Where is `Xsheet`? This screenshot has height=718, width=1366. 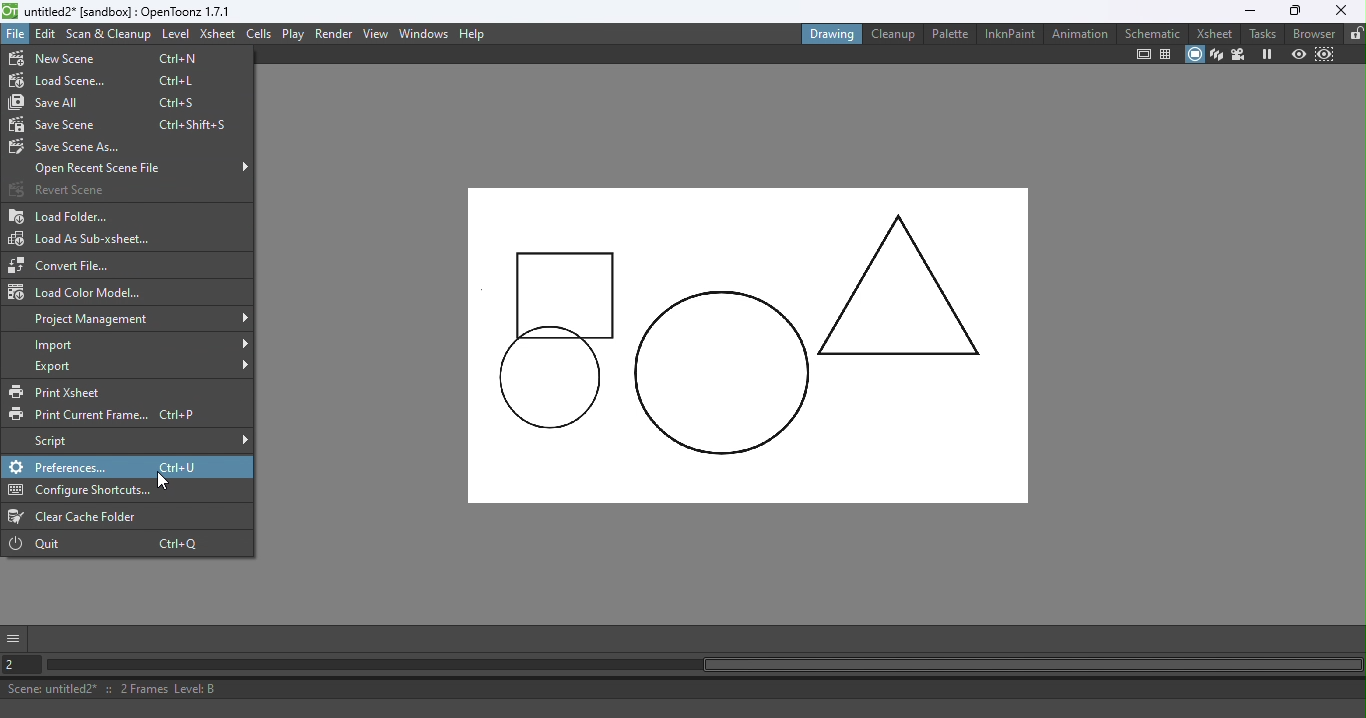
Xsheet is located at coordinates (218, 33).